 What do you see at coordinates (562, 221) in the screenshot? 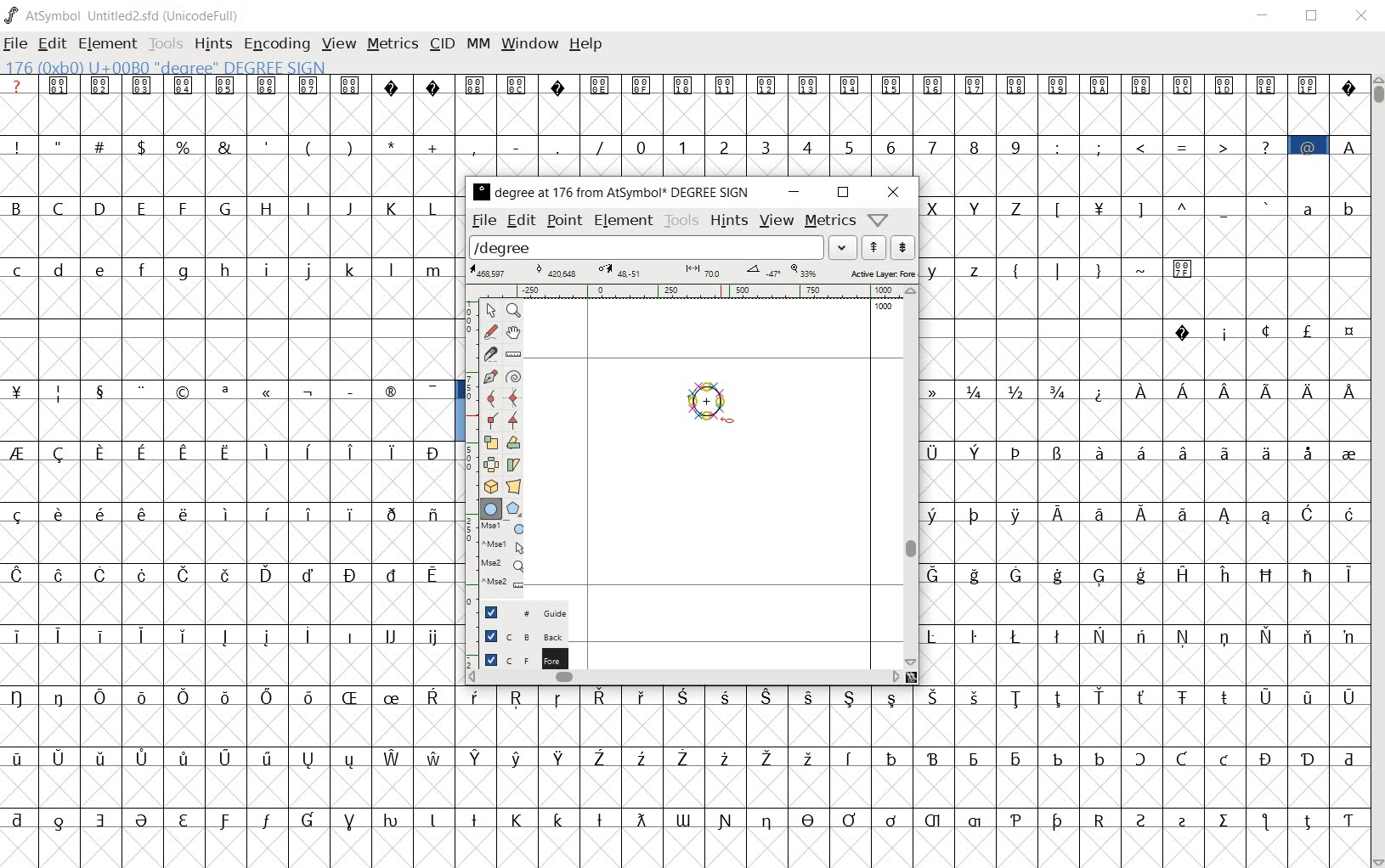
I see `point` at bounding box center [562, 221].